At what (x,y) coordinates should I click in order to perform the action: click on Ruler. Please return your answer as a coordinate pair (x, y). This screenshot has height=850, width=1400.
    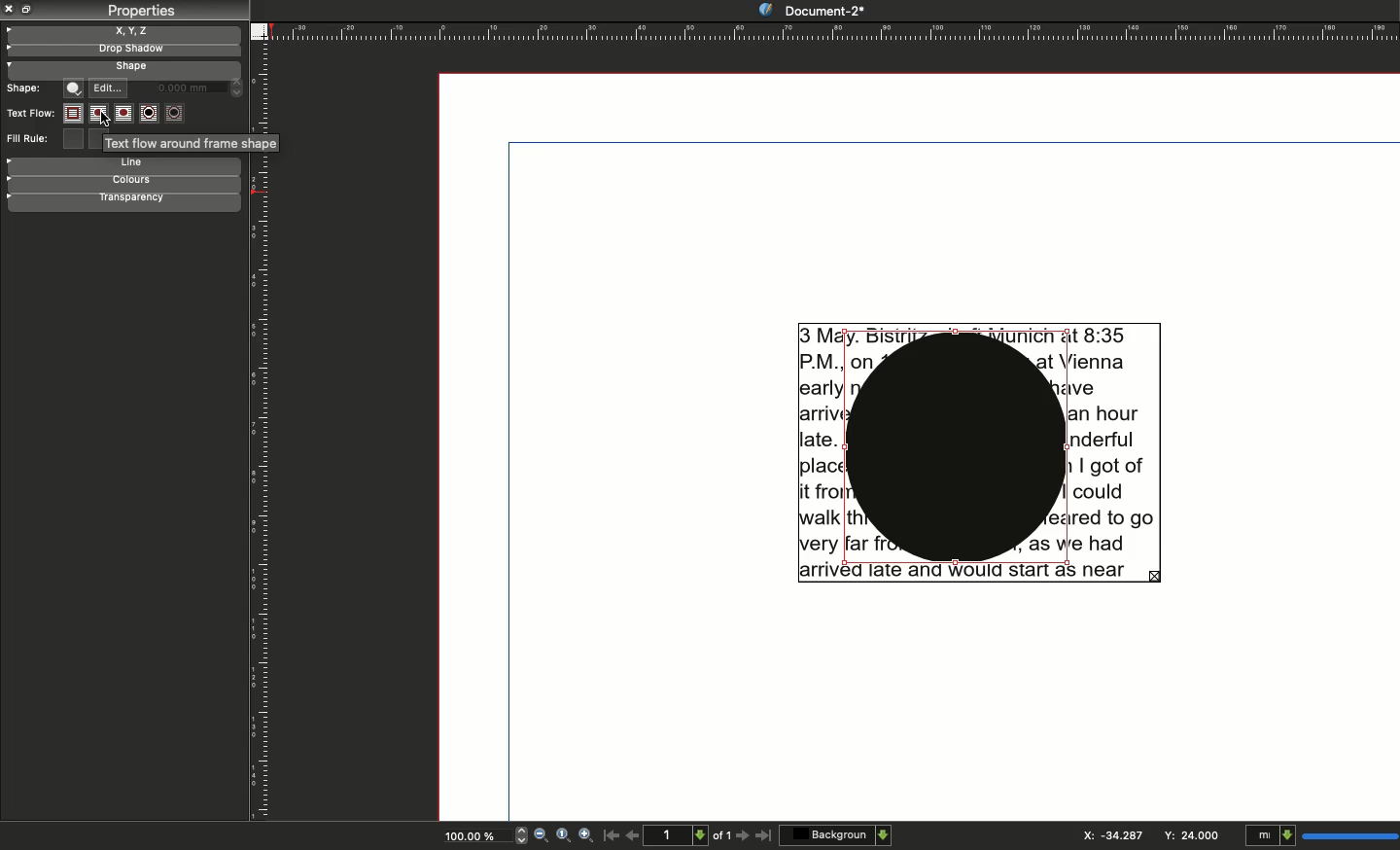
    Looking at the image, I should click on (836, 30).